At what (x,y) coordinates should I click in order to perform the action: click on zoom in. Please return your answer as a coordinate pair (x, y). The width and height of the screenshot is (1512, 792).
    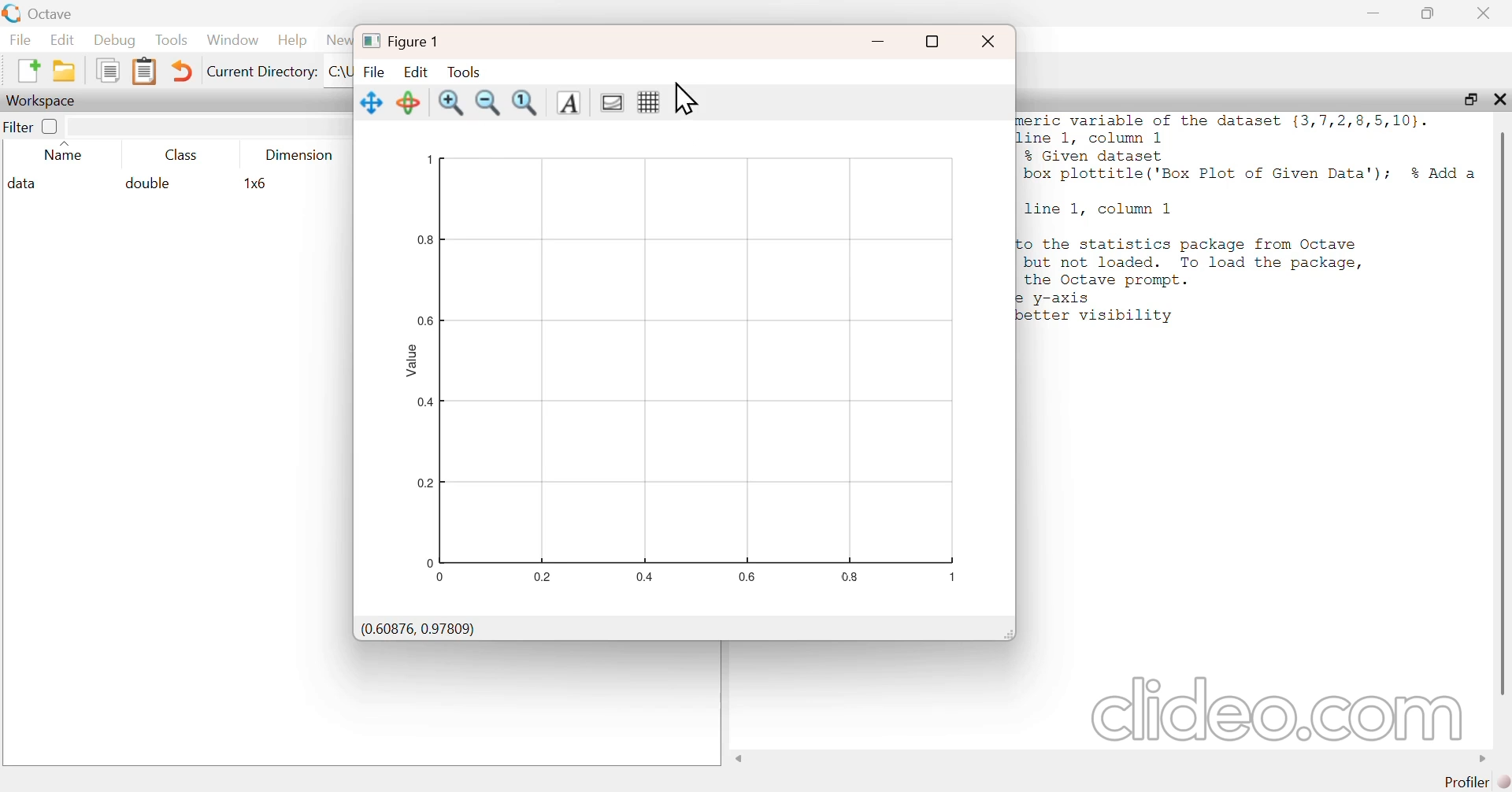
    Looking at the image, I should click on (454, 104).